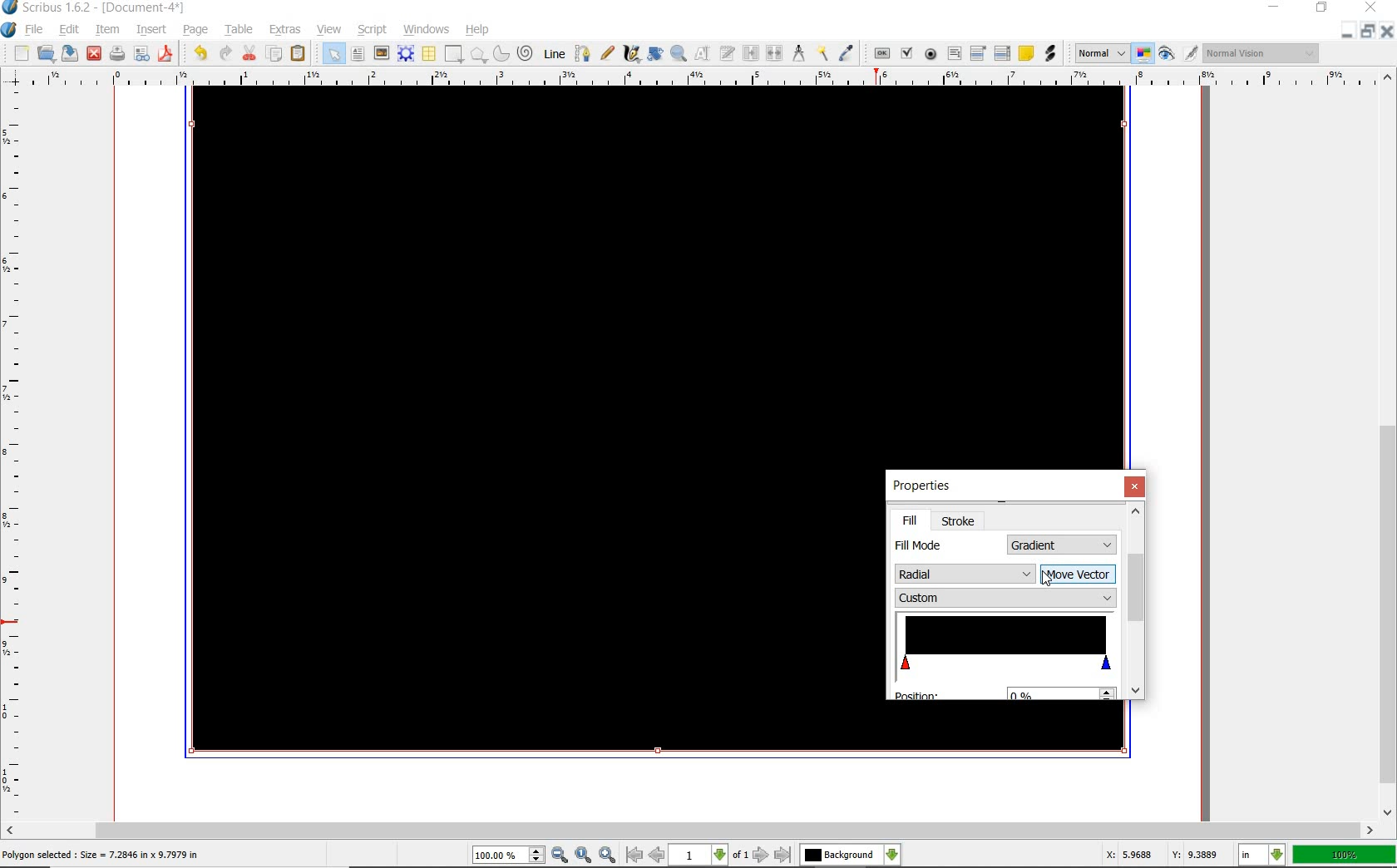 Image resolution: width=1397 pixels, height=868 pixels. What do you see at coordinates (584, 52) in the screenshot?
I see `Bezier curve` at bounding box center [584, 52].